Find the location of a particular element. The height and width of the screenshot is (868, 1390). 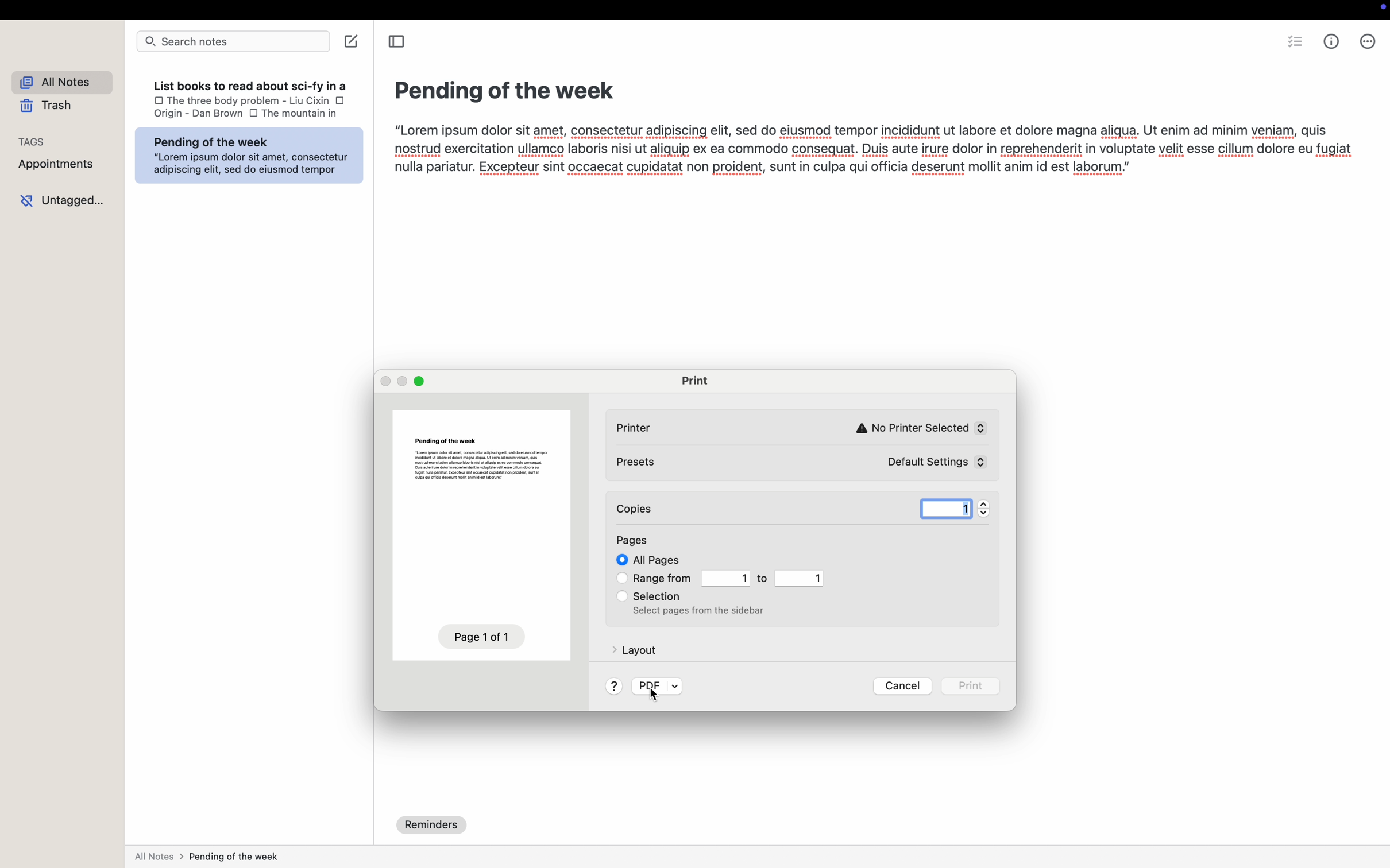

maximize popup is located at coordinates (422, 382).